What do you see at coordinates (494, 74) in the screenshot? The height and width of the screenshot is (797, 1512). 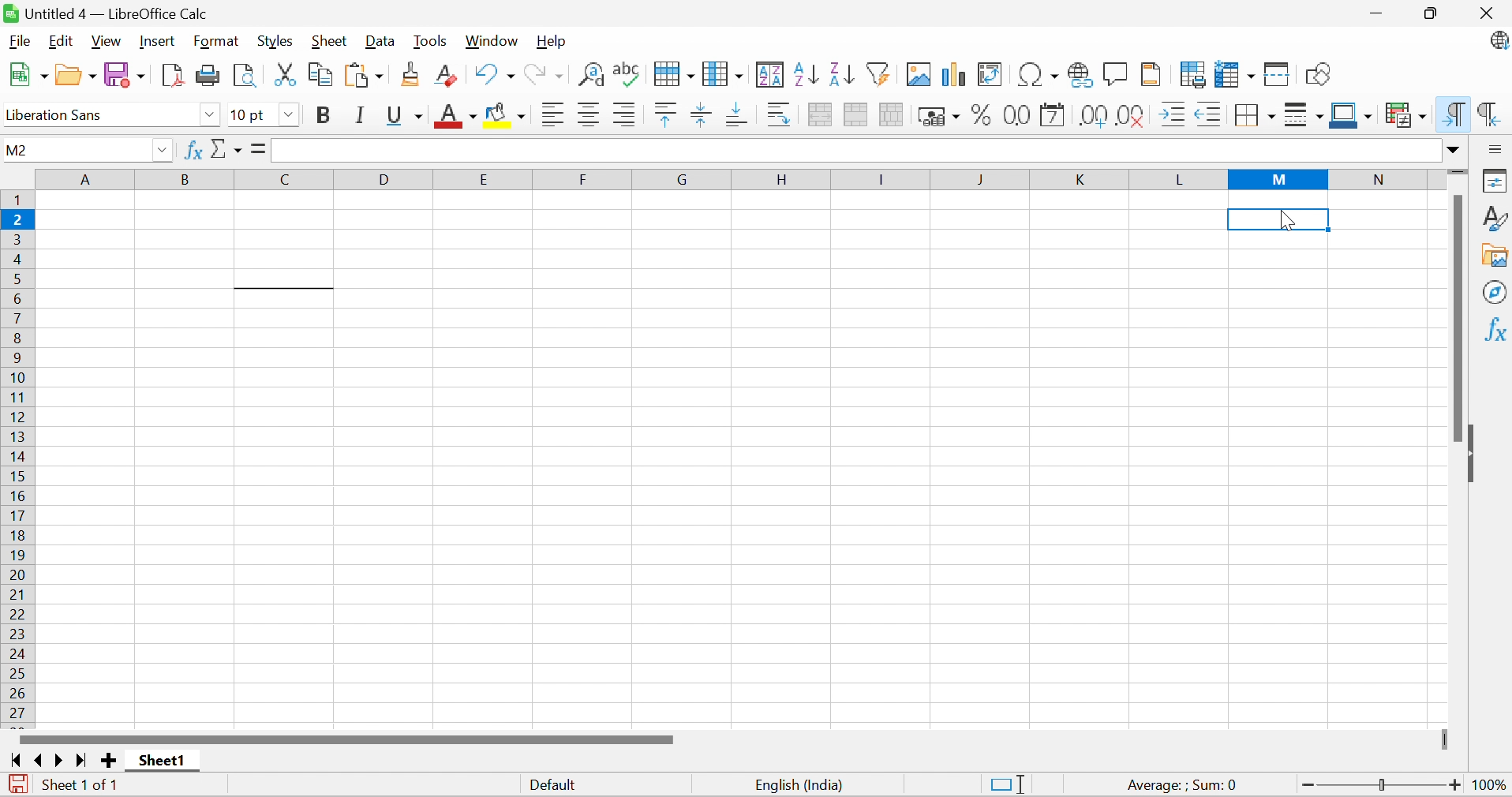 I see `Undo` at bounding box center [494, 74].